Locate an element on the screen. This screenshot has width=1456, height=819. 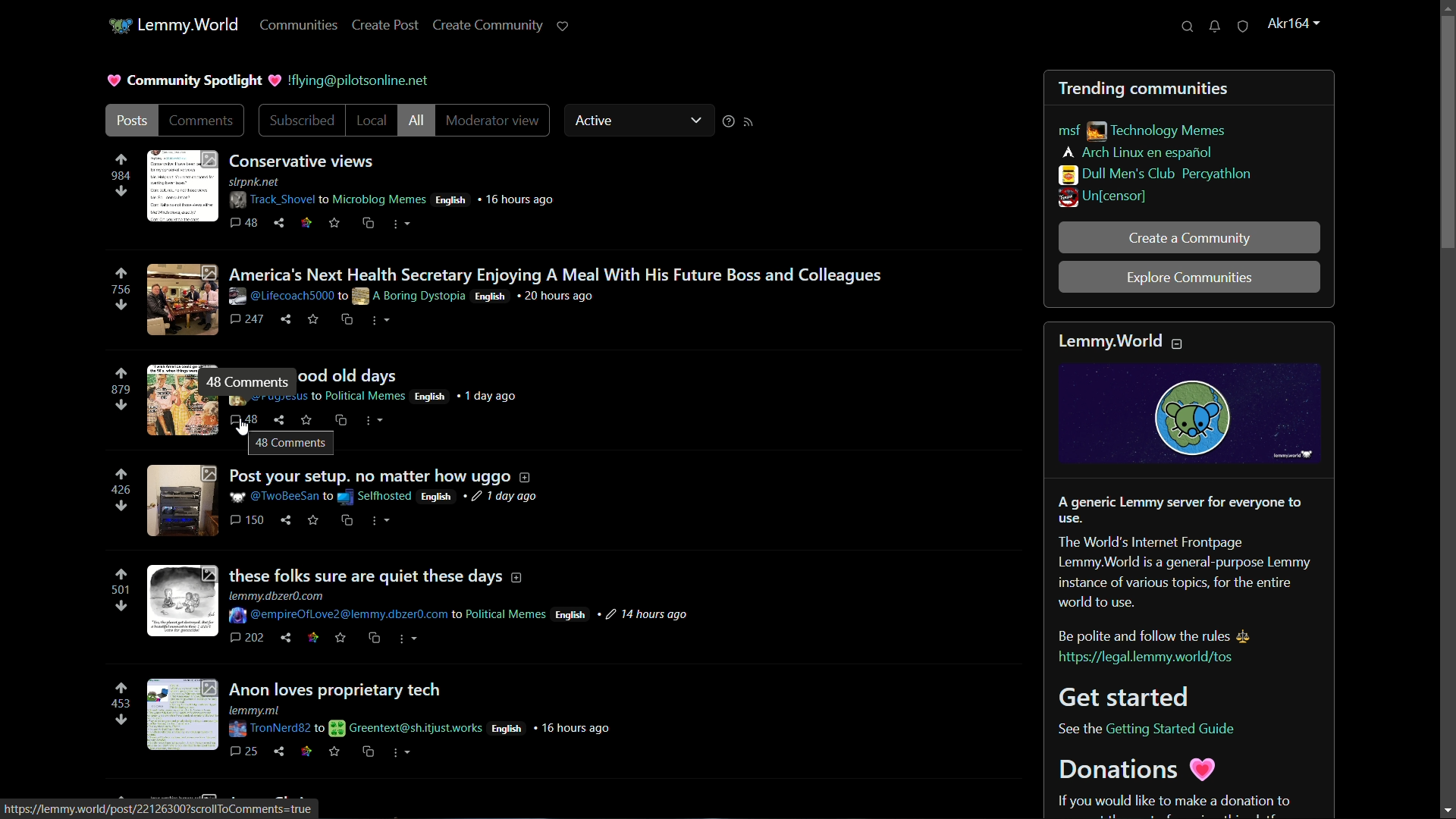
number of votes is located at coordinates (122, 290).